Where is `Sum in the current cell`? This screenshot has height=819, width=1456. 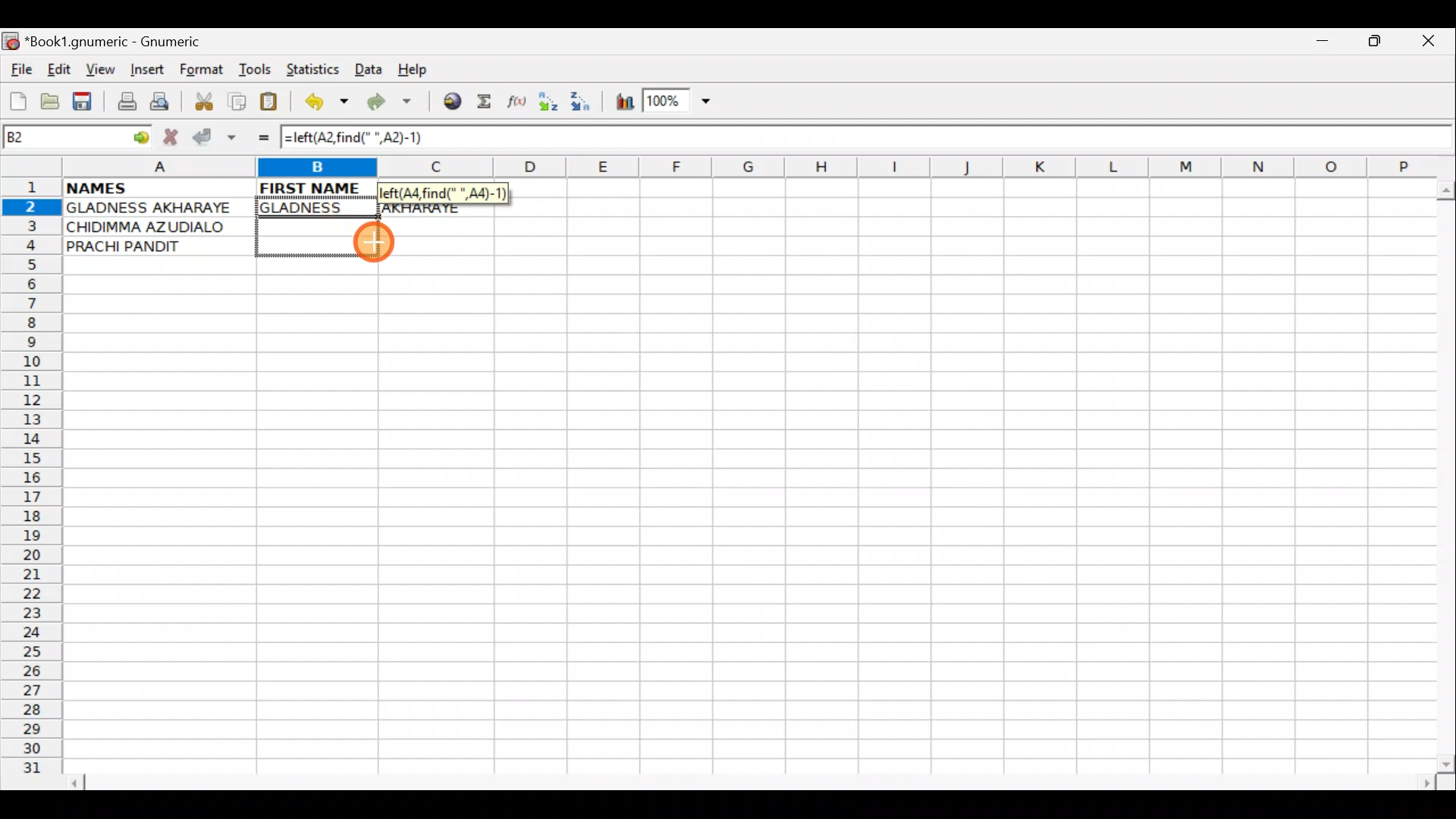 Sum in the current cell is located at coordinates (489, 102).